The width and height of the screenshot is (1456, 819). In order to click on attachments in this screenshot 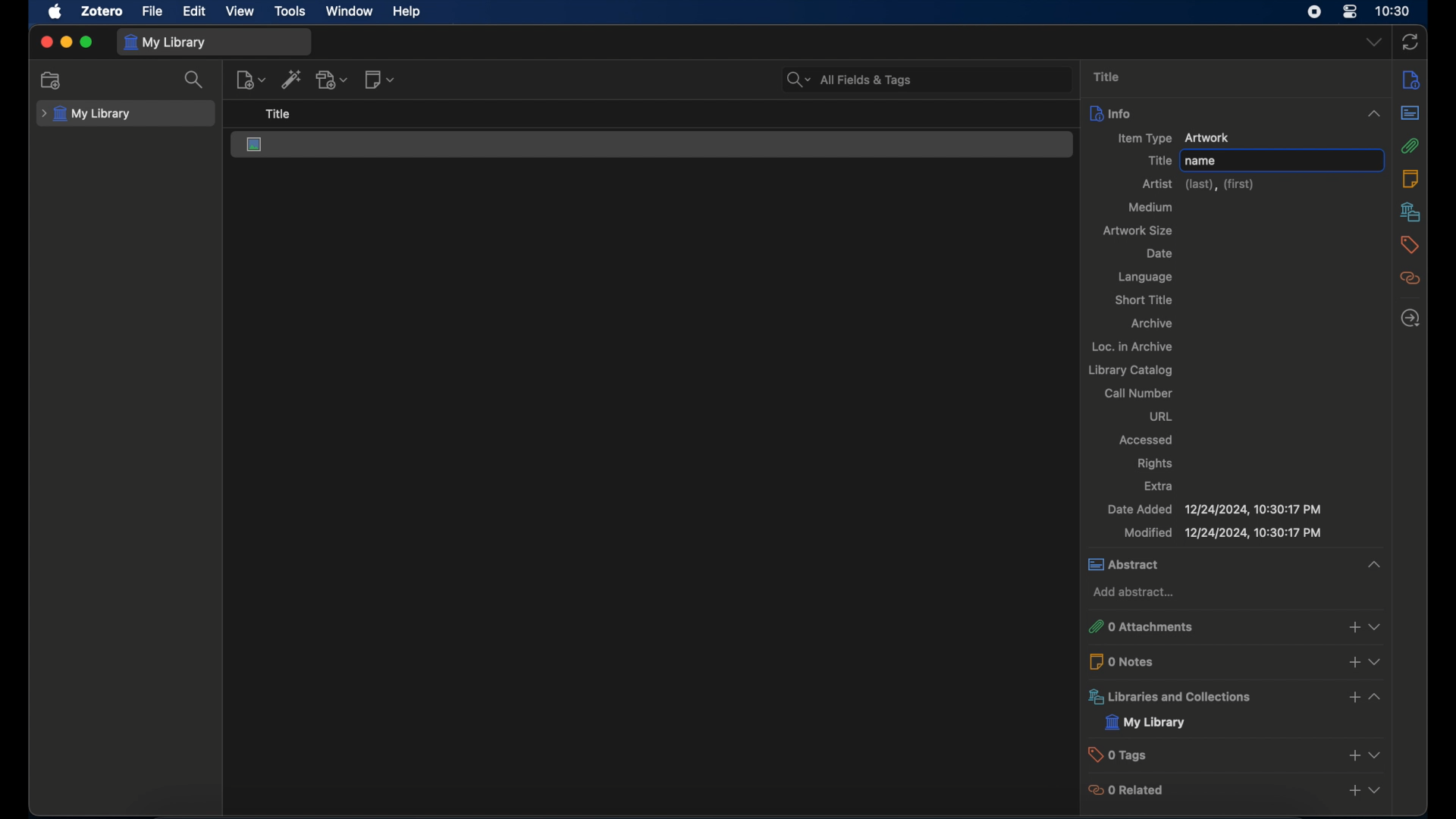, I will do `click(1410, 146)`.